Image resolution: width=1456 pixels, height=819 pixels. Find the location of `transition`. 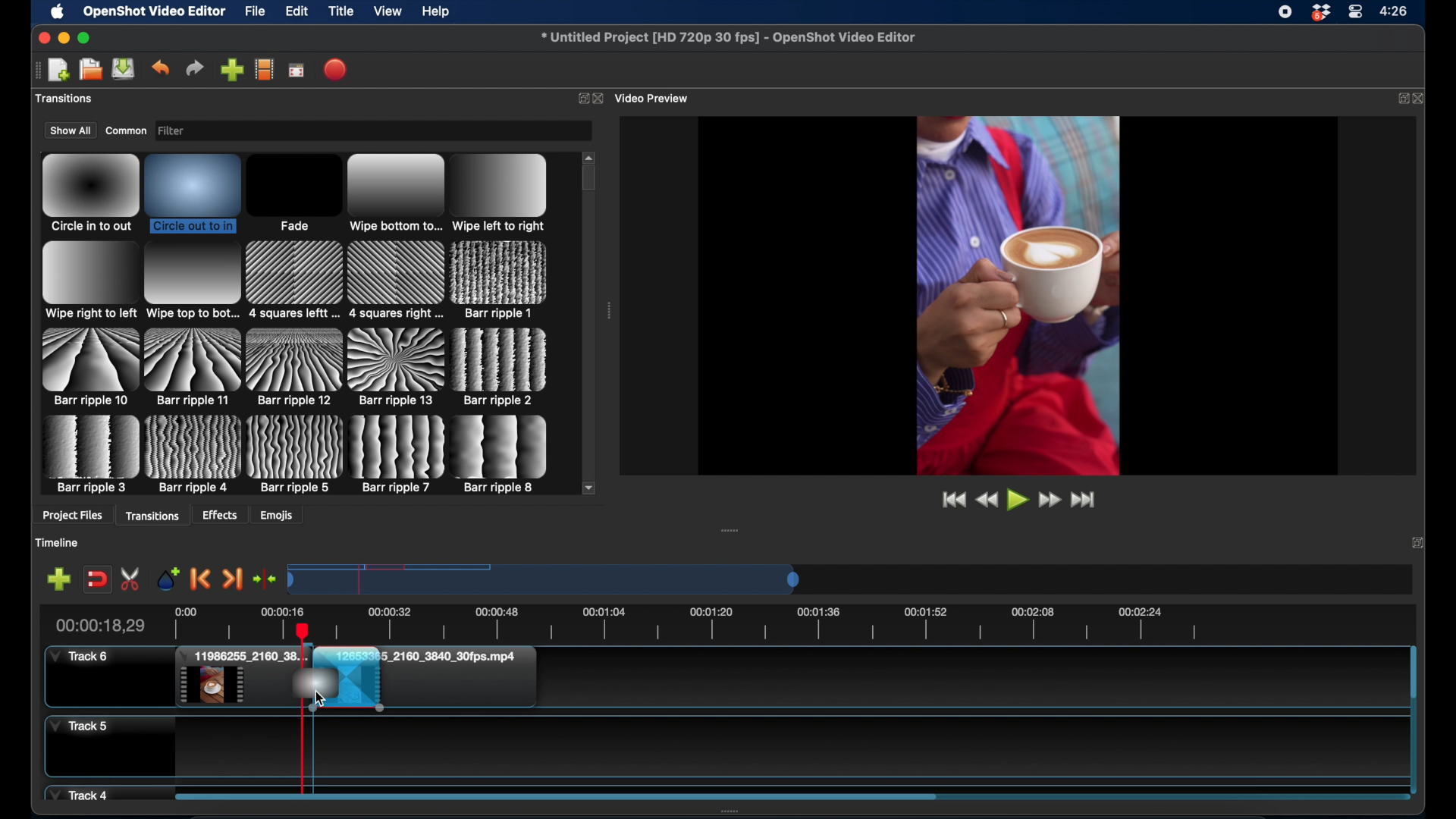

transition is located at coordinates (90, 193).